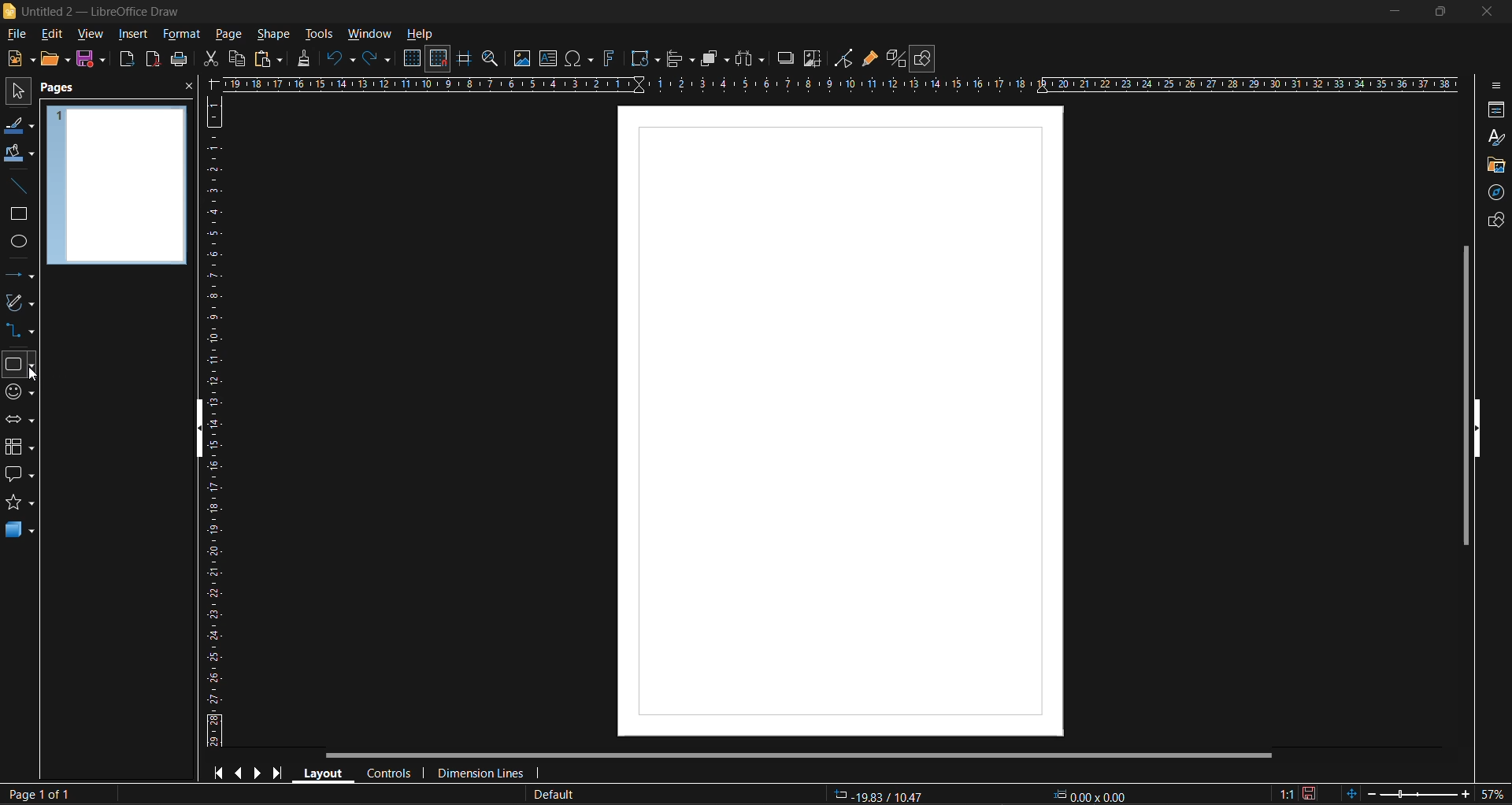  What do you see at coordinates (19, 474) in the screenshot?
I see `callout shapes` at bounding box center [19, 474].